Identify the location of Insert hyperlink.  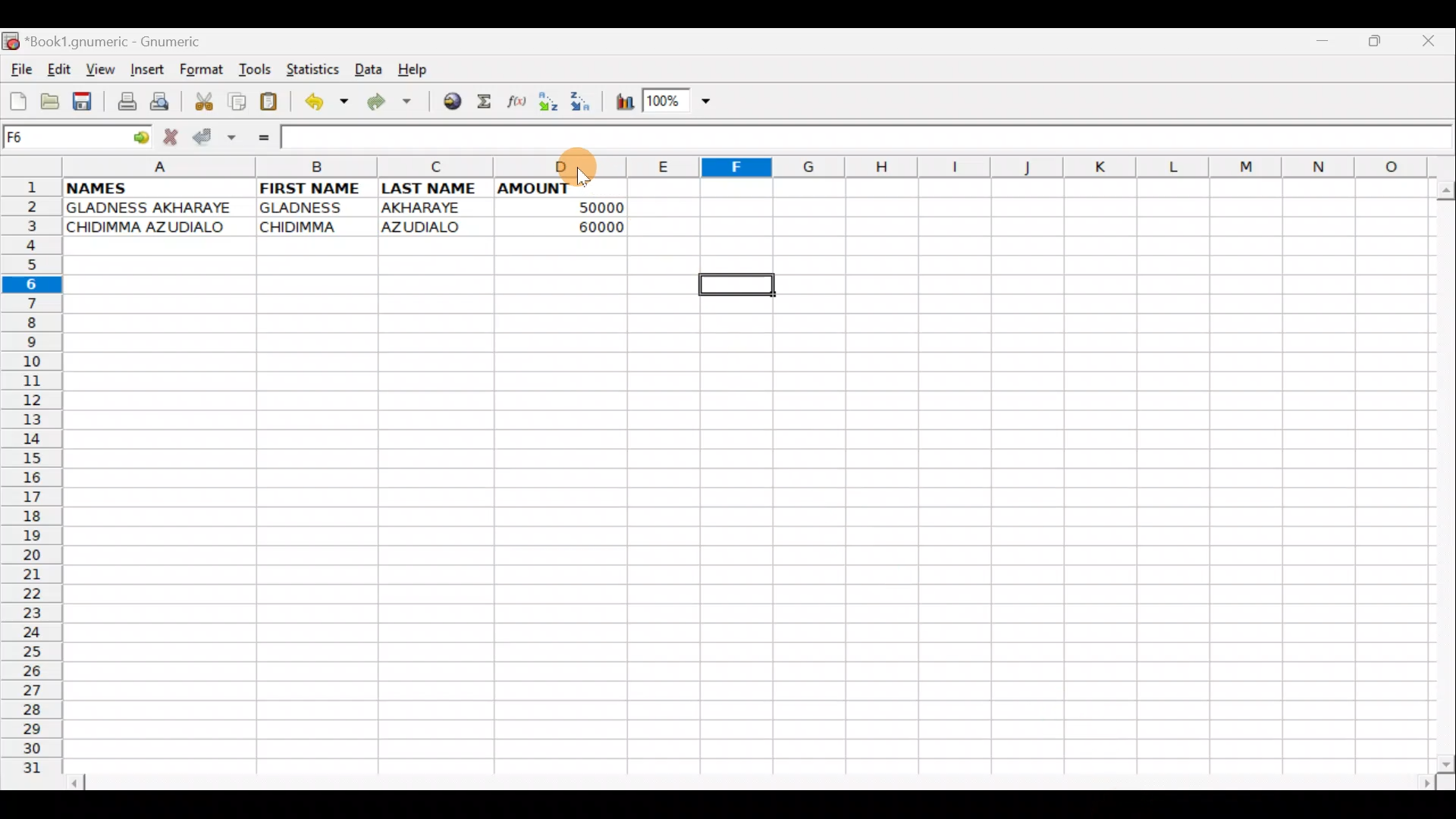
(447, 102).